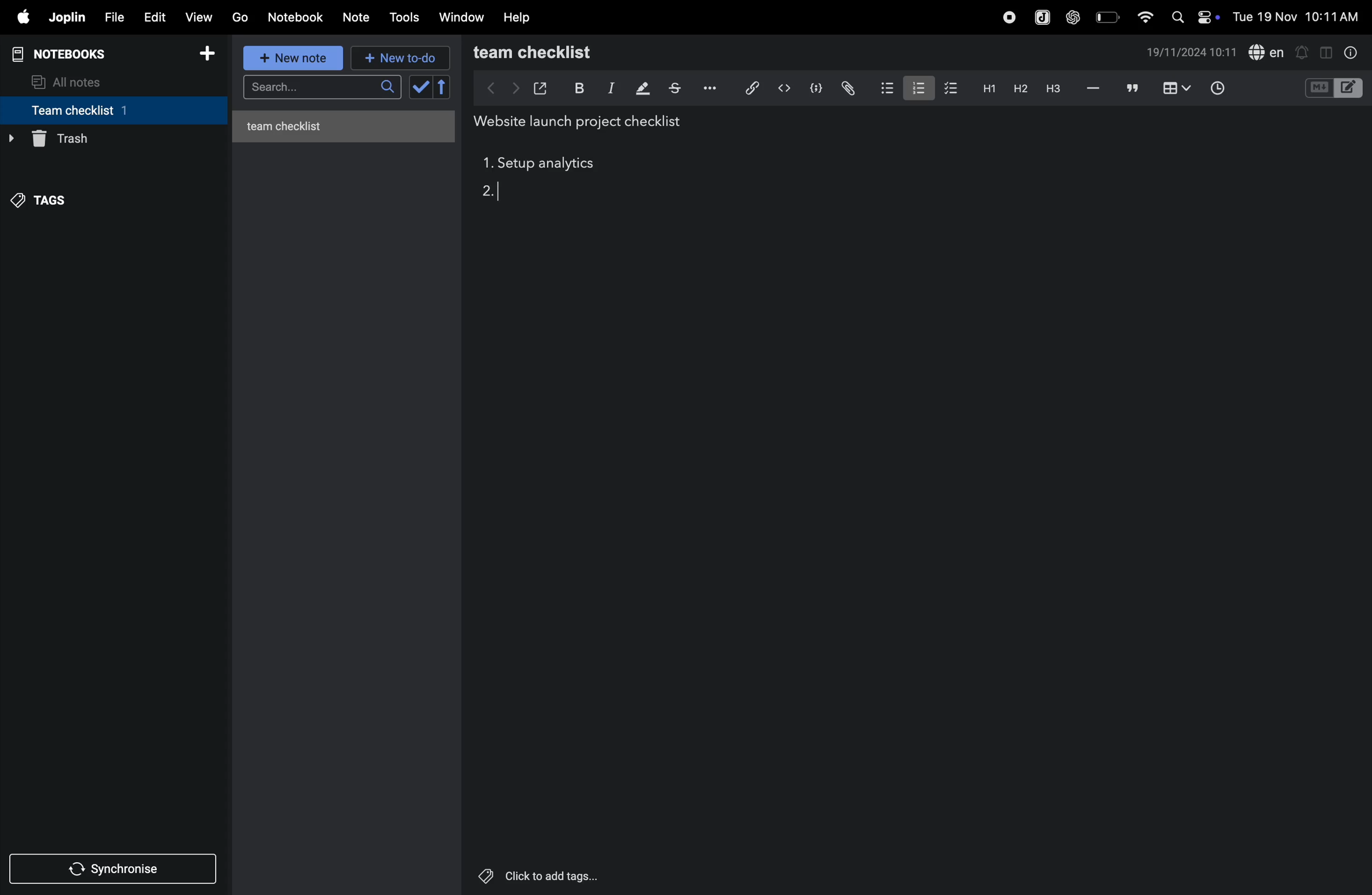 The width and height of the screenshot is (1372, 895). Describe the element at coordinates (1175, 88) in the screenshot. I see `table` at that location.